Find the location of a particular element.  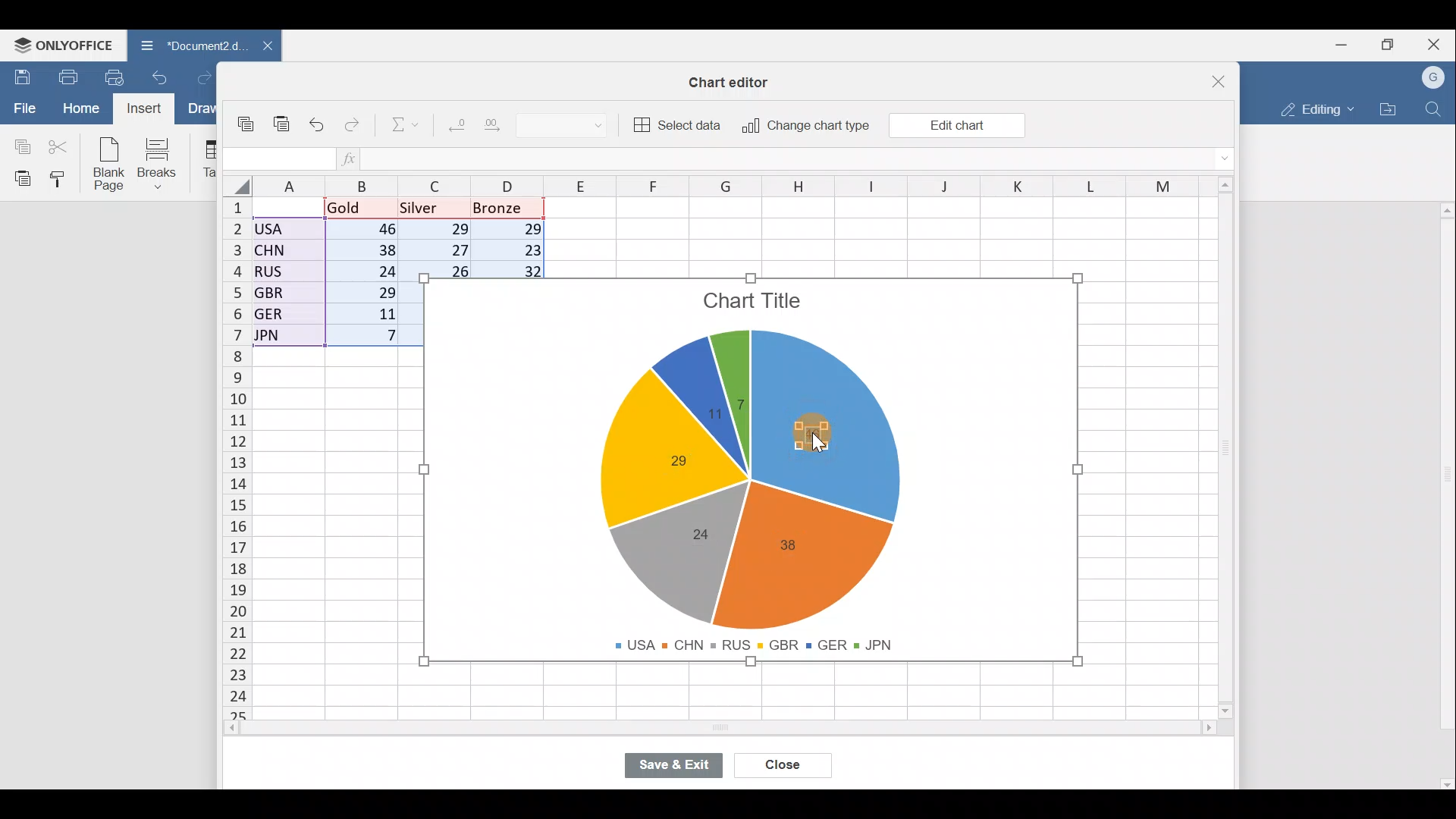

Summation is located at coordinates (406, 122).